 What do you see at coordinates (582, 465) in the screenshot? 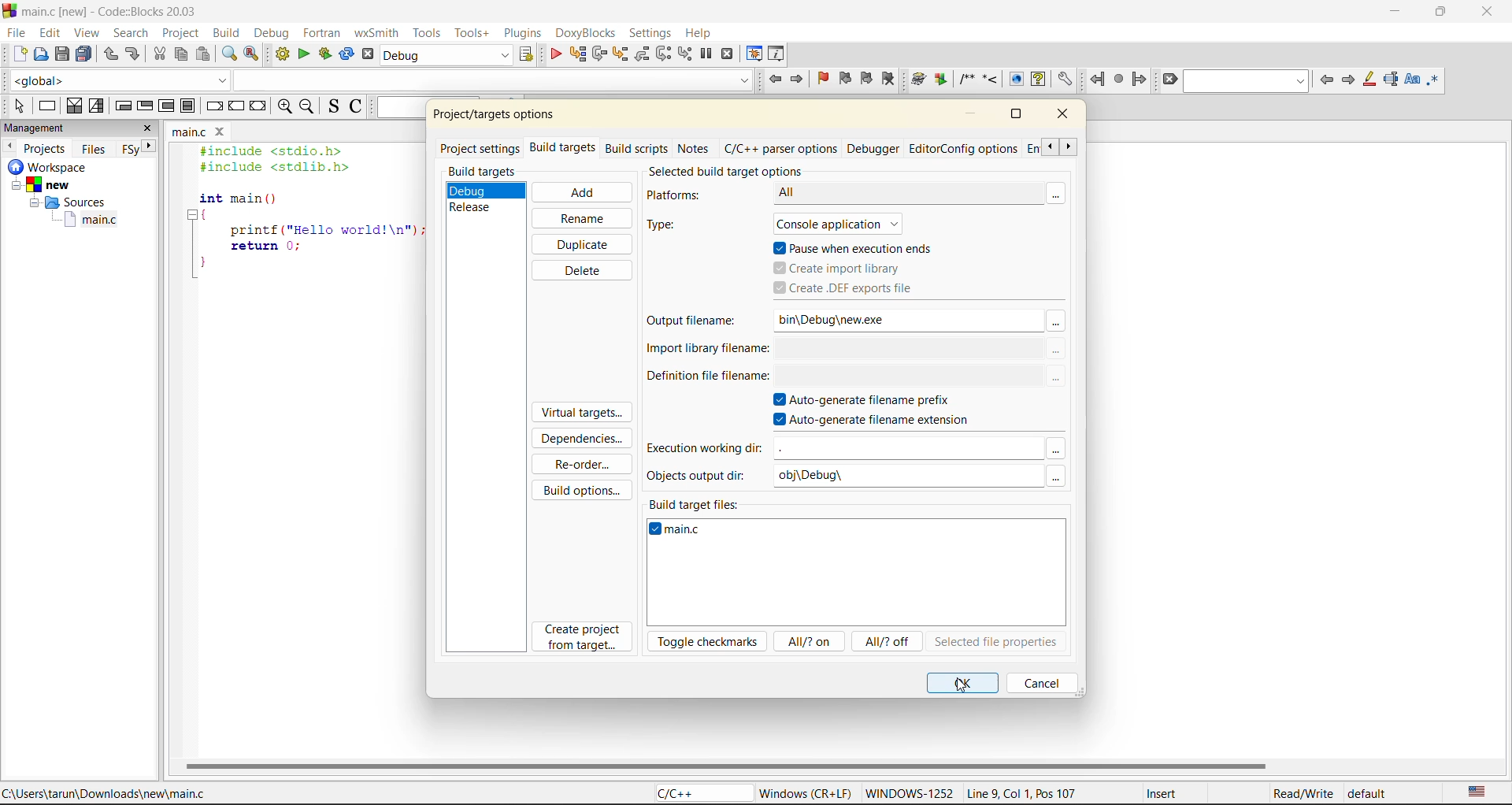
I see `reorder` at bounding box center [582, 465].